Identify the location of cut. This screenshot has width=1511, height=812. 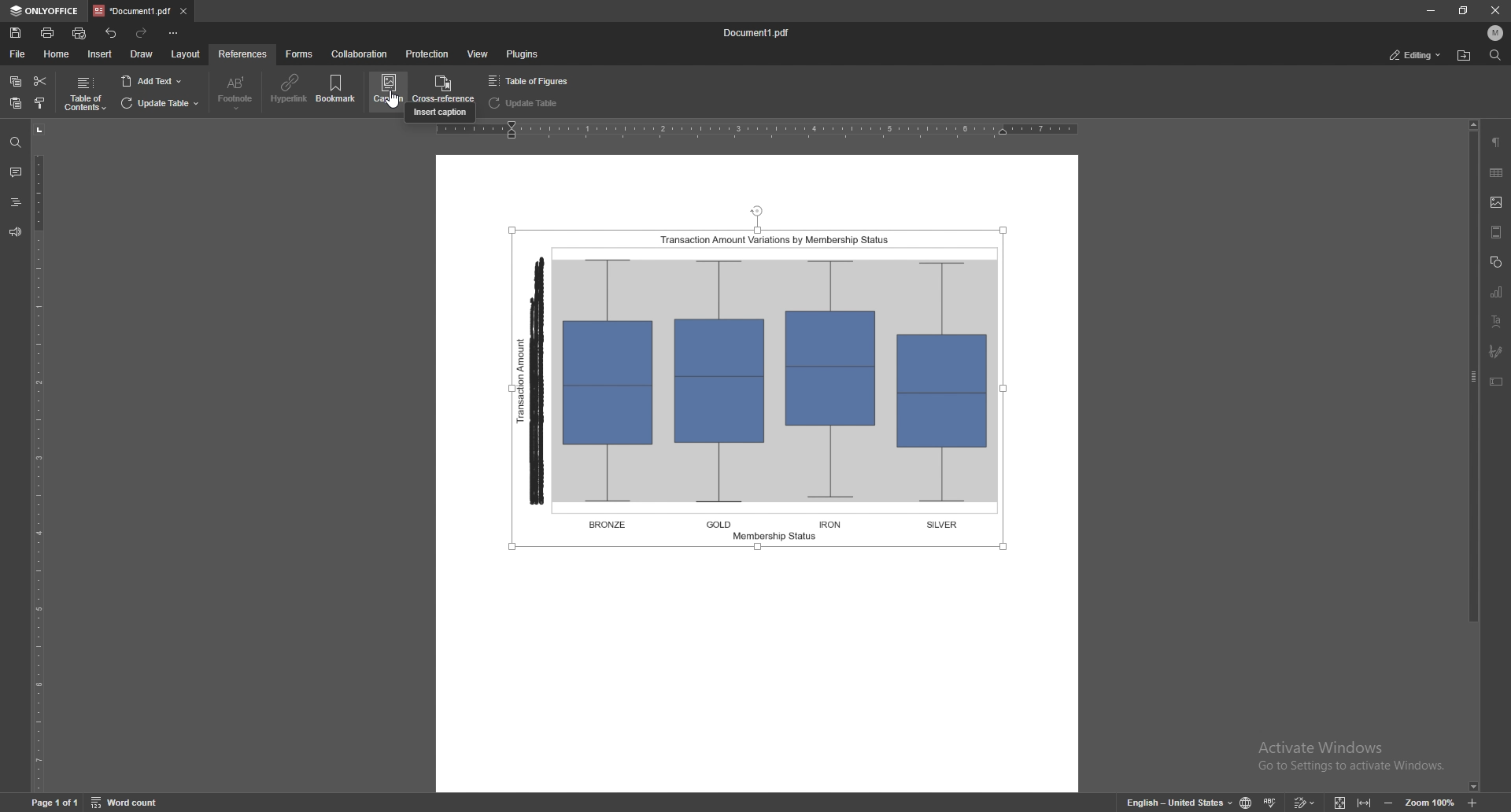
(40, 82).